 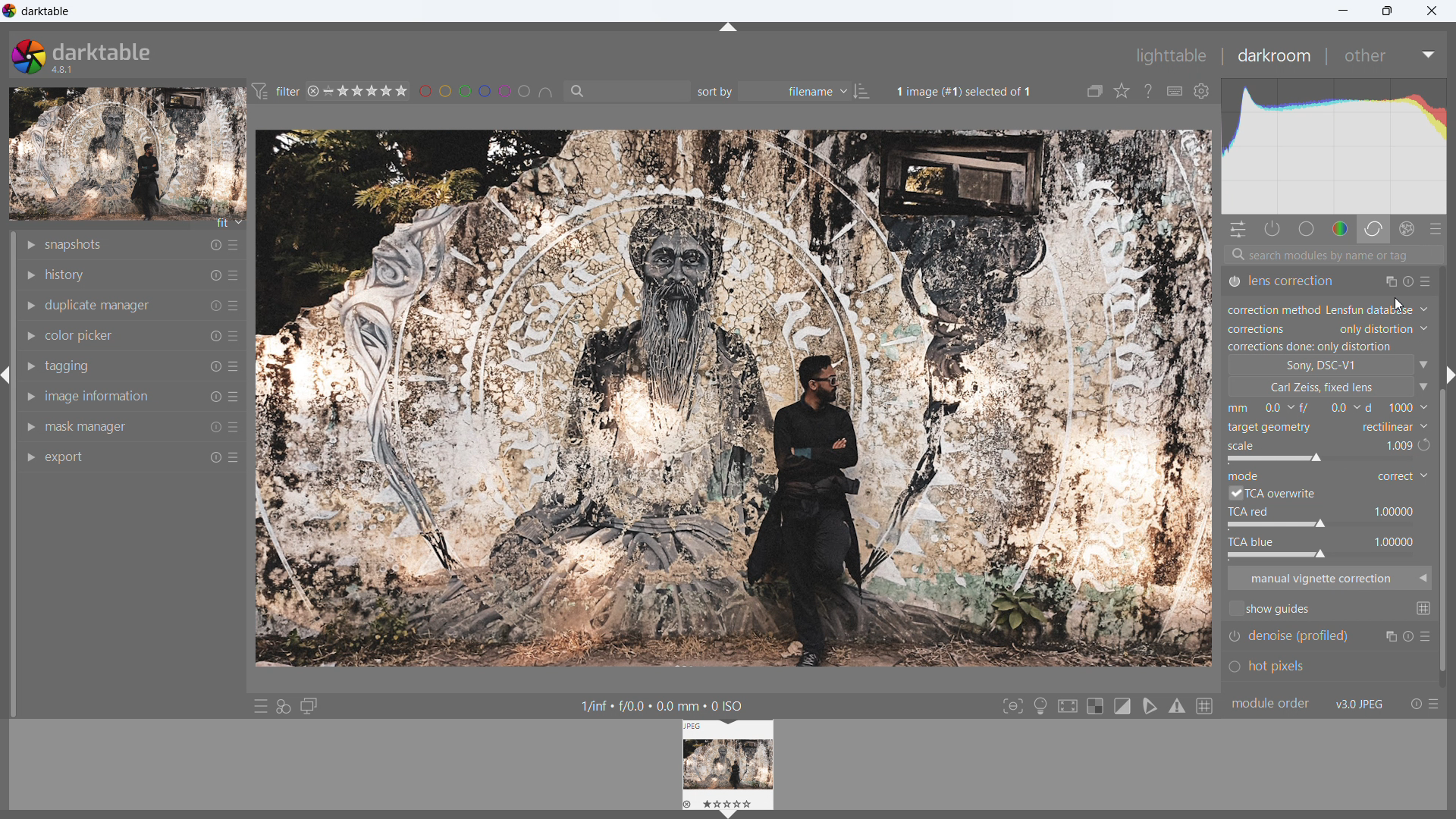 What do you see at coordinates (863, 91) in the screenshot?
I see `ascending/descending` at bounding box center [863, 91].